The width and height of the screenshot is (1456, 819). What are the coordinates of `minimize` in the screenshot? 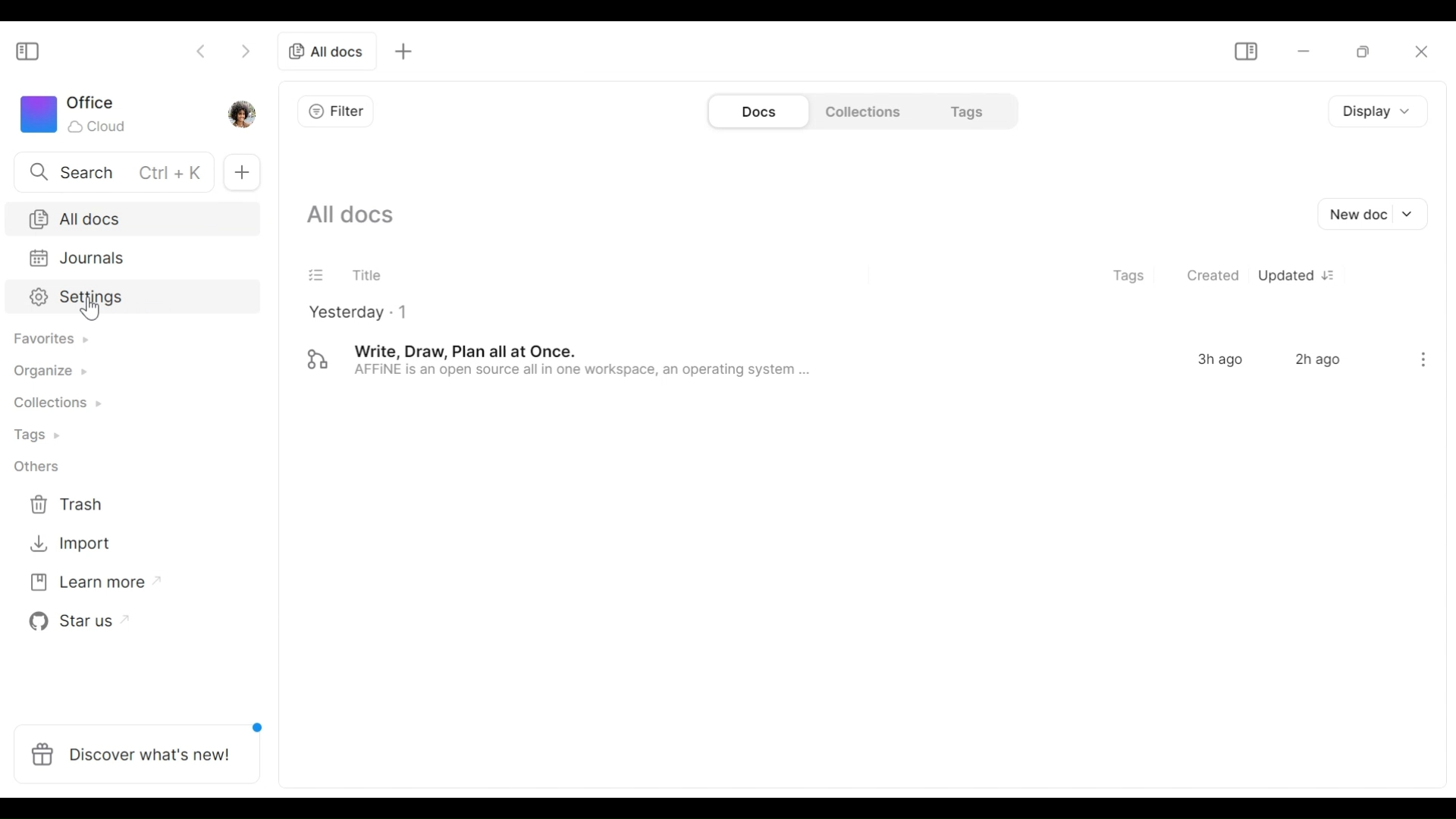 It's located at (1307, 51).